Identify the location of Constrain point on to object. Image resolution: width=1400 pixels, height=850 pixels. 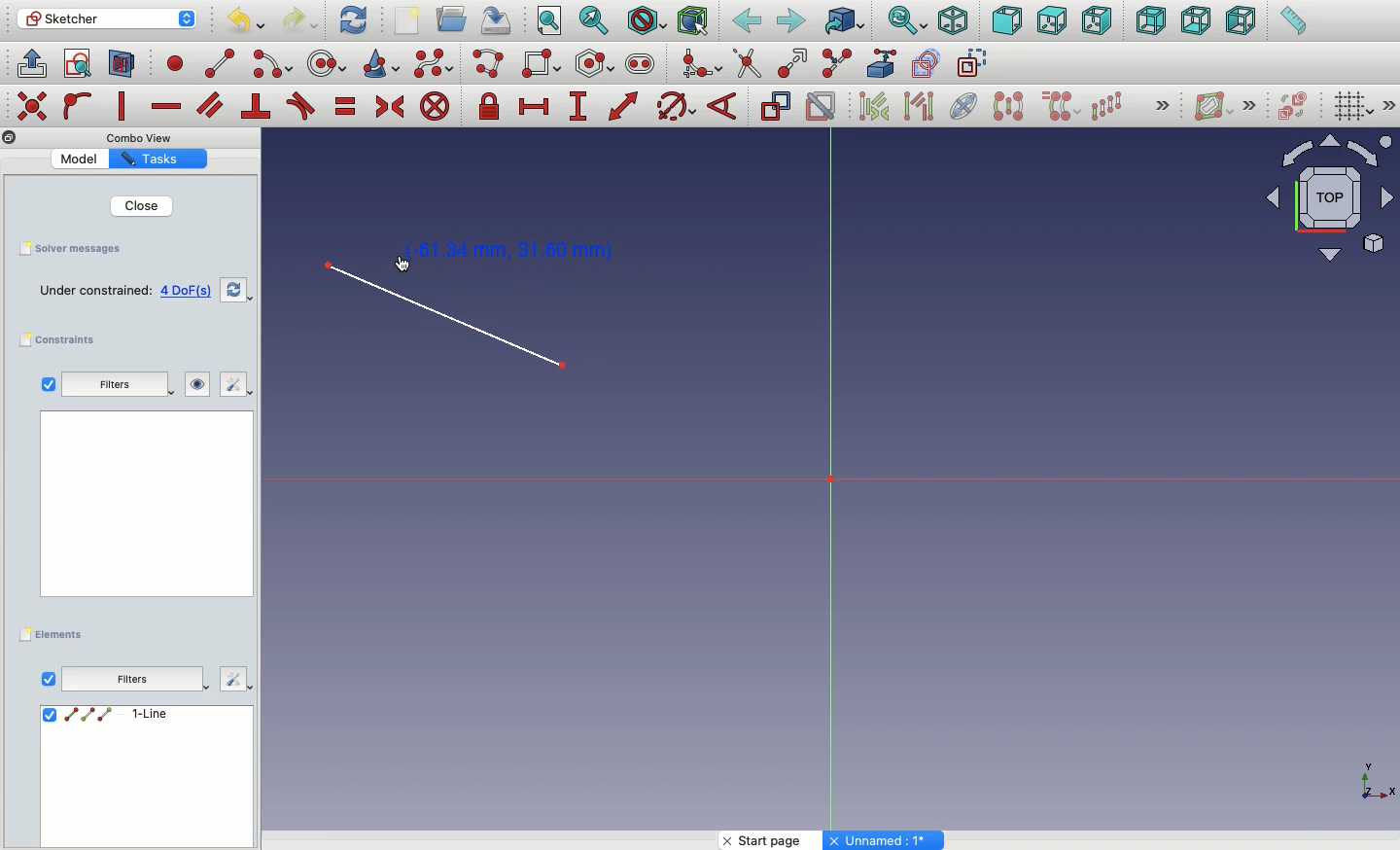
(78, 108).